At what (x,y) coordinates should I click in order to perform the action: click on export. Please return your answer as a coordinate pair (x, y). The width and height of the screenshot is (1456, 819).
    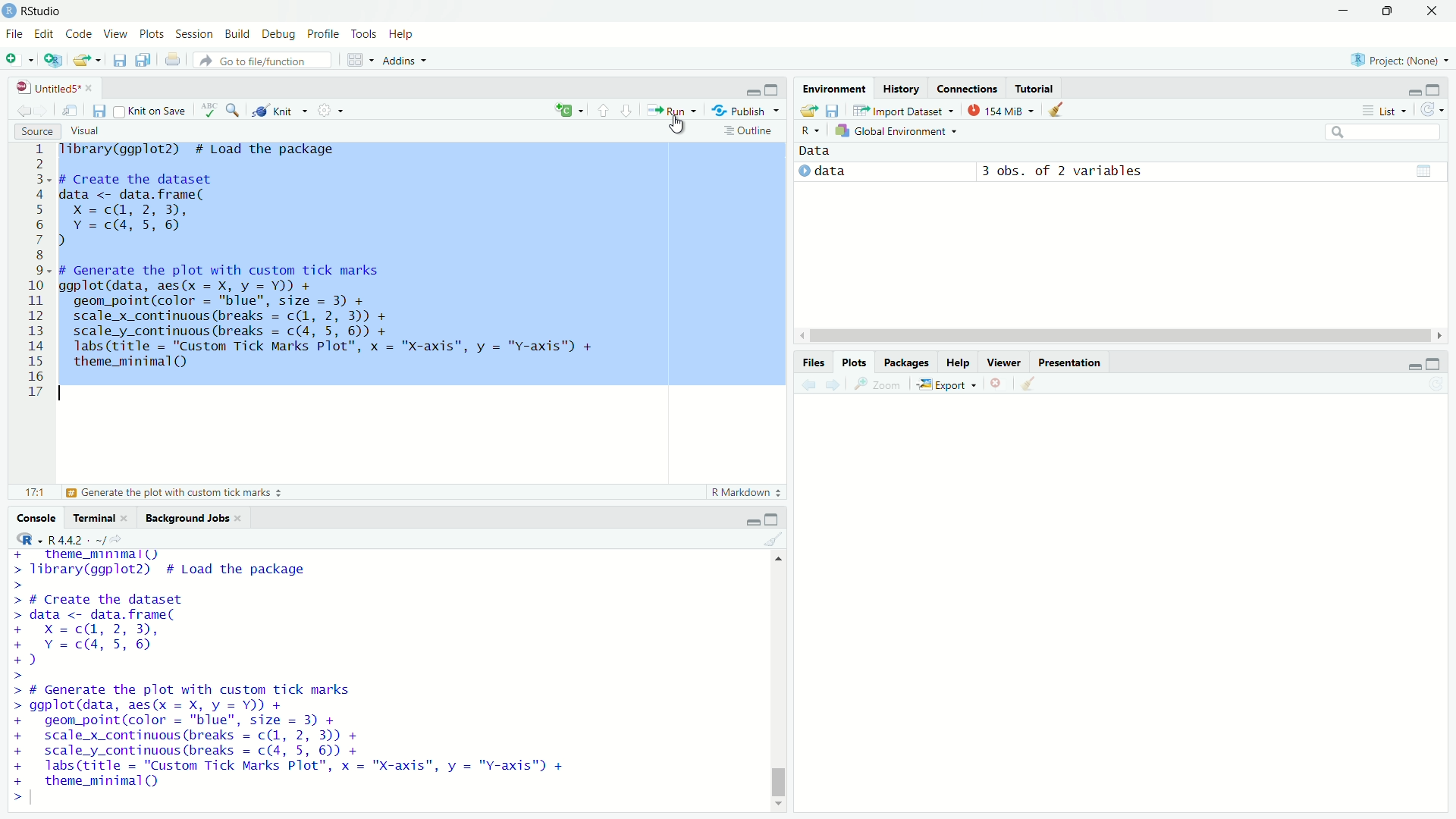
    Looking at the image, I should click on (949, 385).